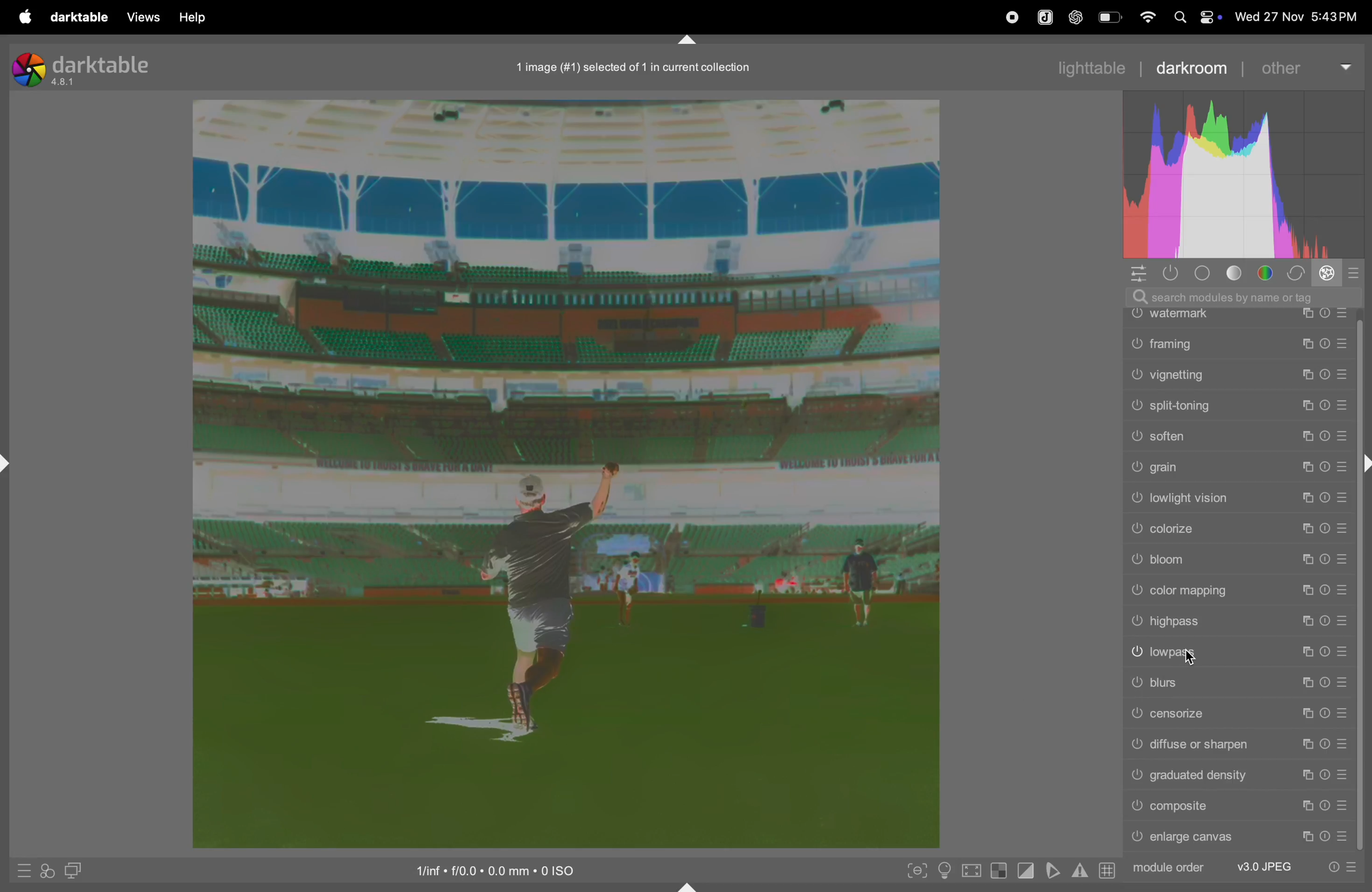  I want to click on framing, so click(1238, 342).